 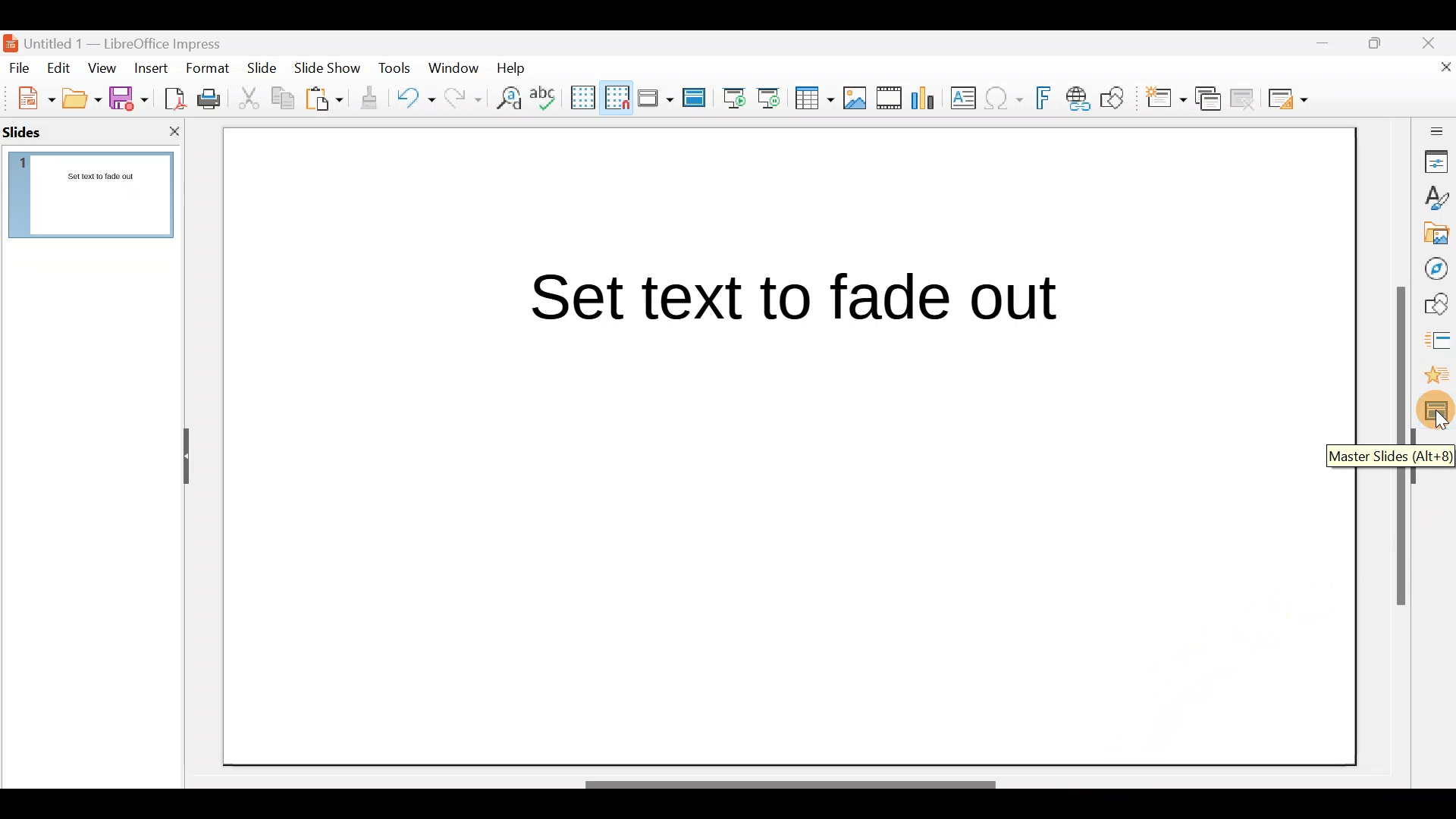 What do you see at coordinates (1437, 200) in the screenshot?
I see `Styles` at bounding box center [1437, 200].